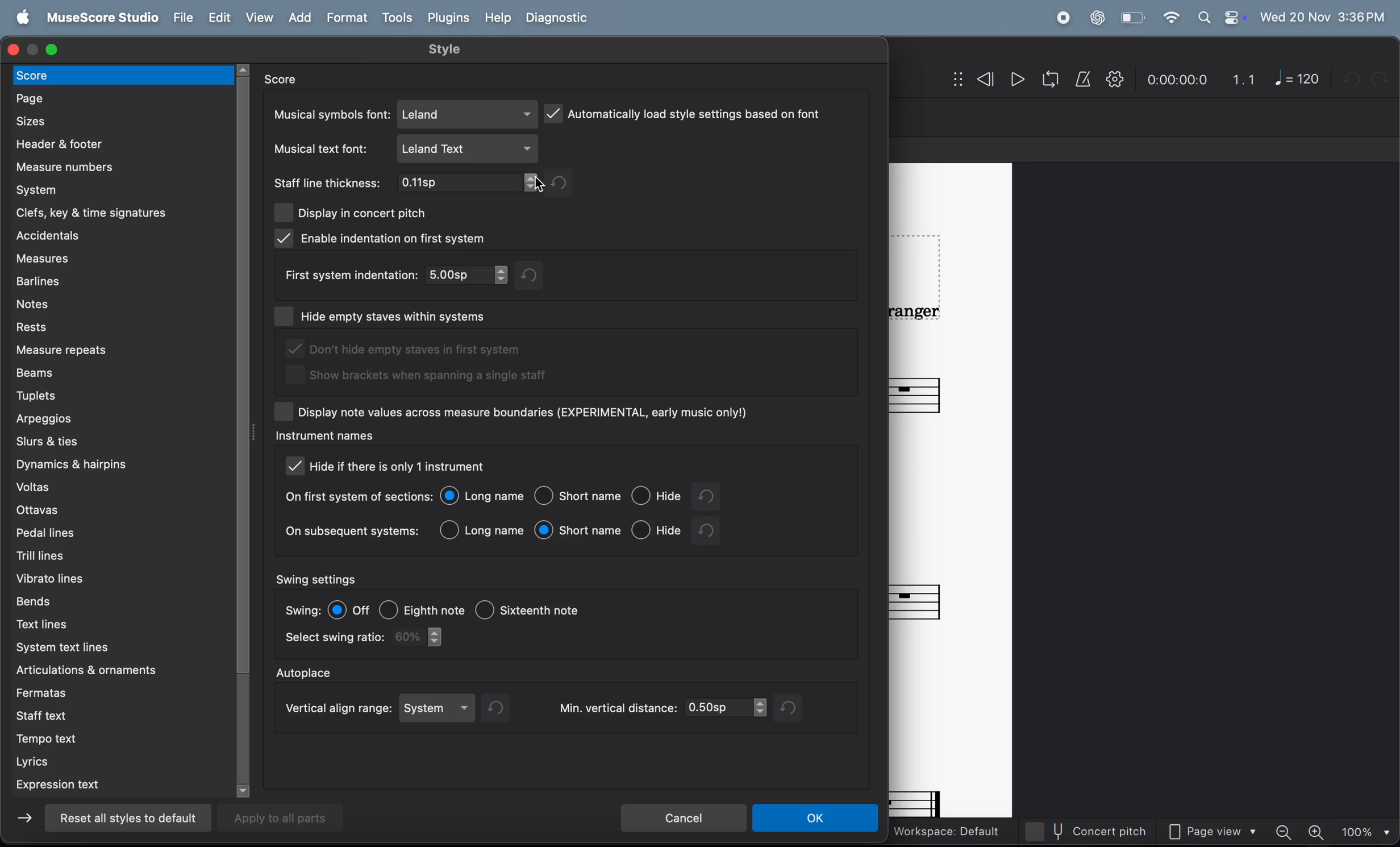  What do you see at coordinates (302, 609) in the screenshot?
I see `swing` at bounding box center [302, 609].